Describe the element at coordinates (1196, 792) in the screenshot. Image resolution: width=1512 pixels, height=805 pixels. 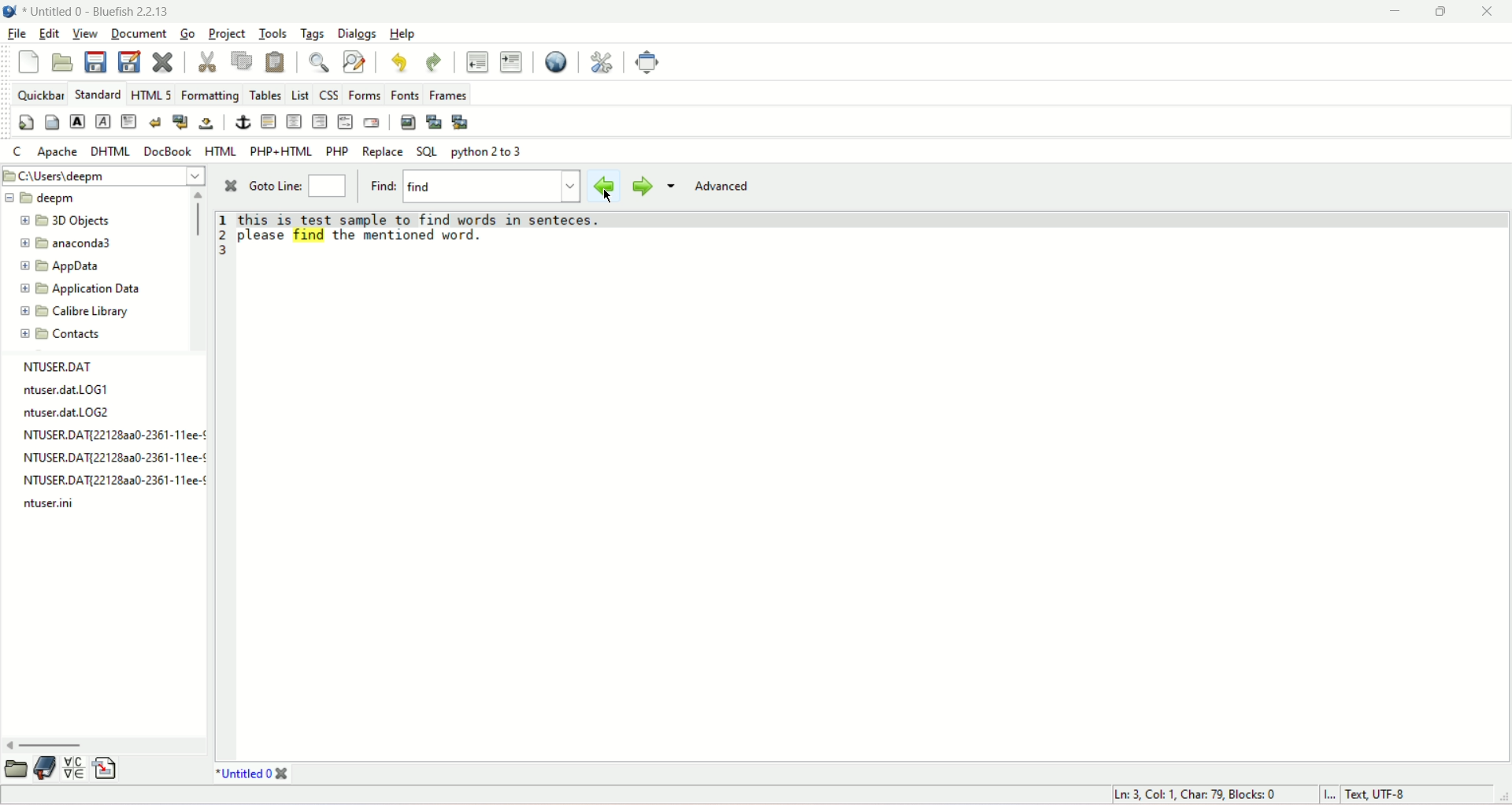
I see `Ln: 3, Cok: 1, Char: 79, Blocks: 0` at that location.